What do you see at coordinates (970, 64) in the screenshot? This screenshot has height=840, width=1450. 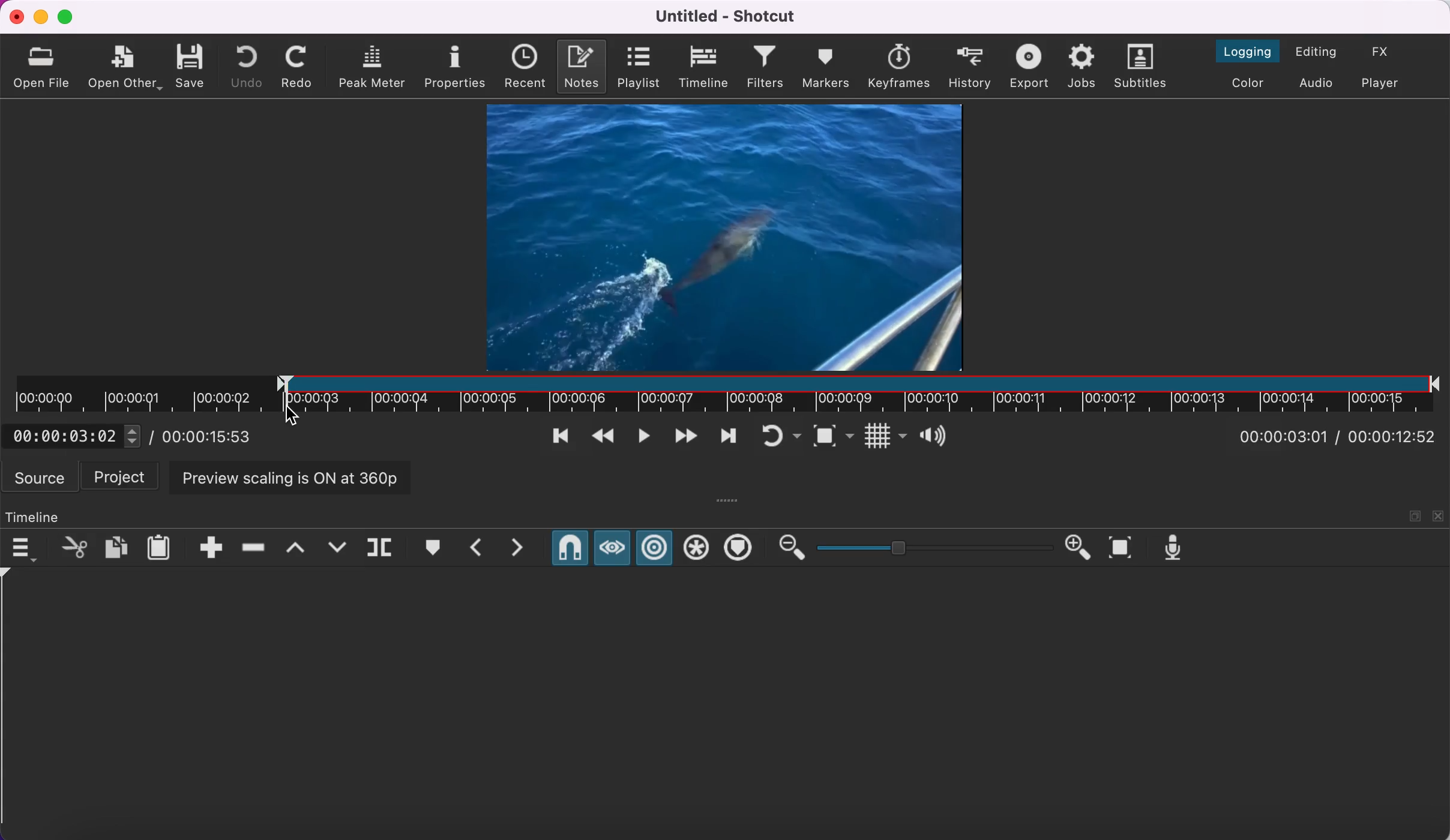 I see `history` at bounding box center [970, 64].